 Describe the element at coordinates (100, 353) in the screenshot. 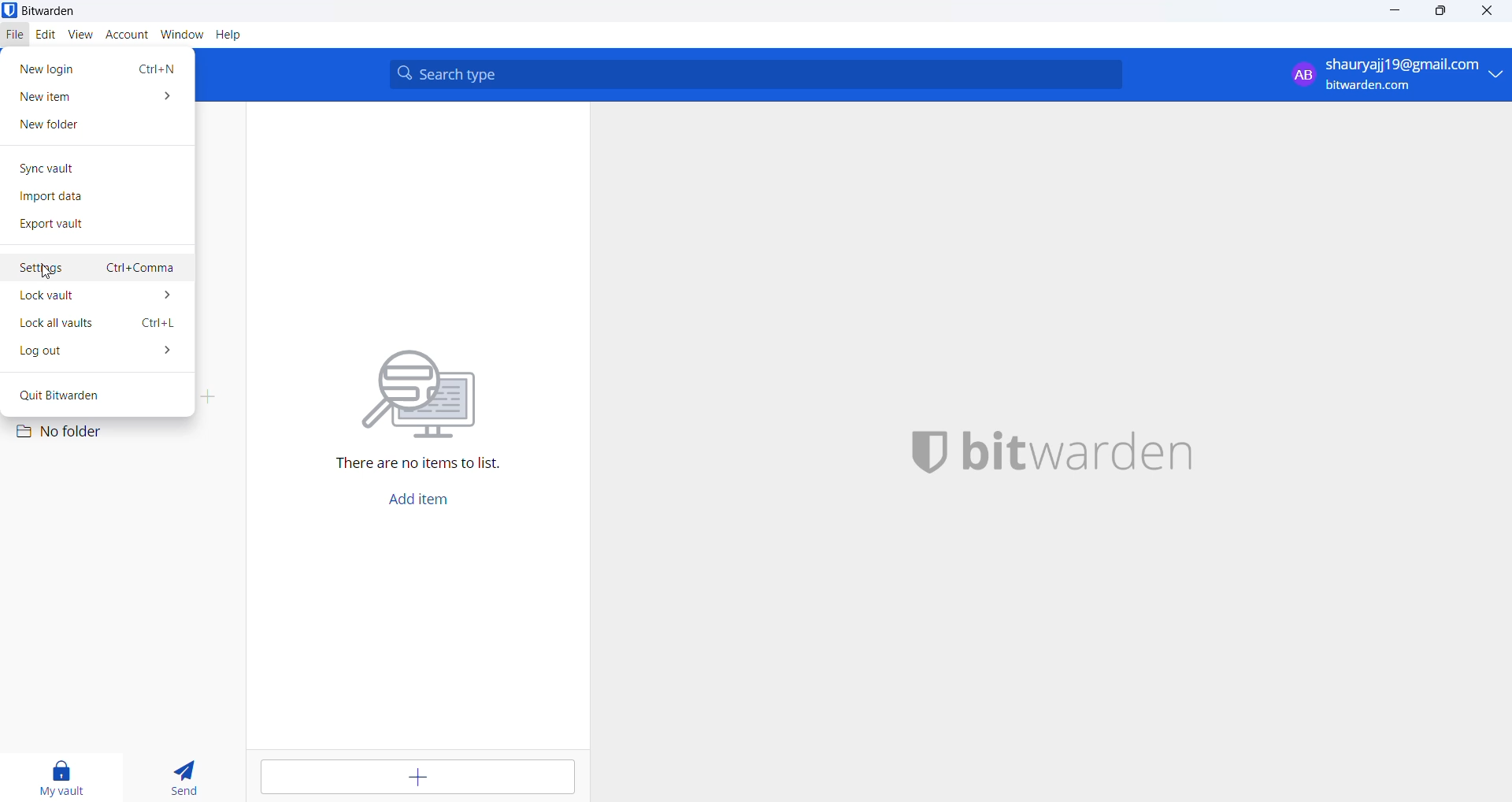

I see `log out` at that location.